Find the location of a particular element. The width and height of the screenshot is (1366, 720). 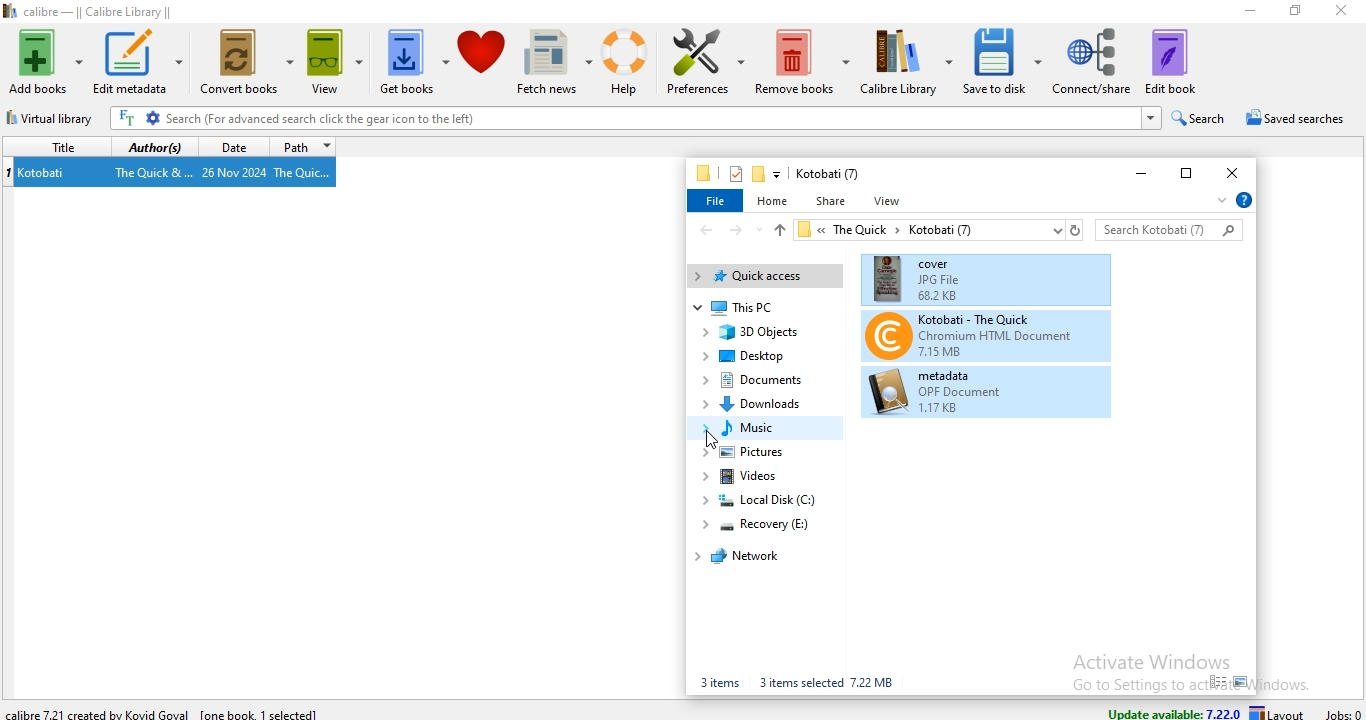

refresh is located at coordinates (1075, 229).